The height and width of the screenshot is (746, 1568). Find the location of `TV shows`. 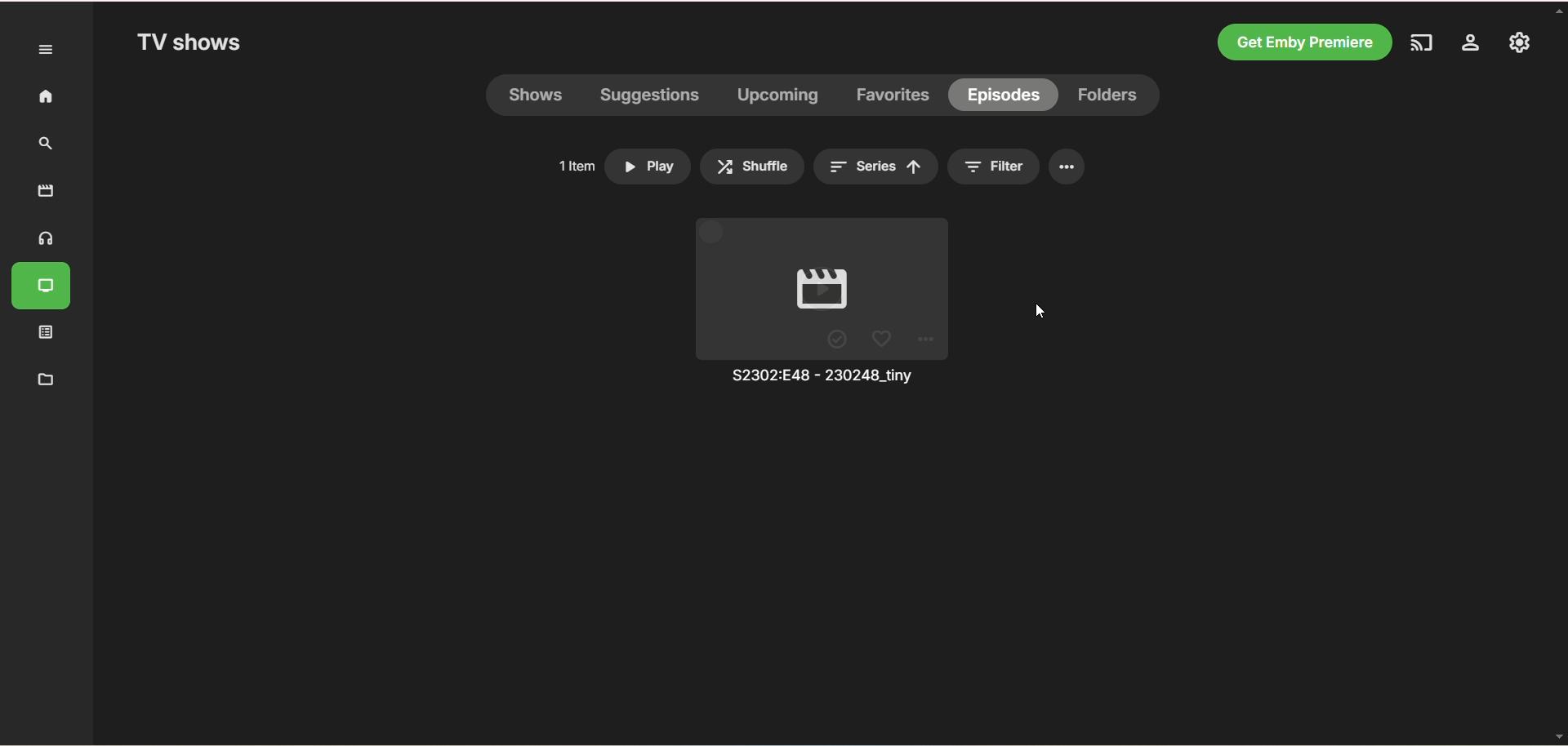

TV shows is located at coordinates (47, 287).